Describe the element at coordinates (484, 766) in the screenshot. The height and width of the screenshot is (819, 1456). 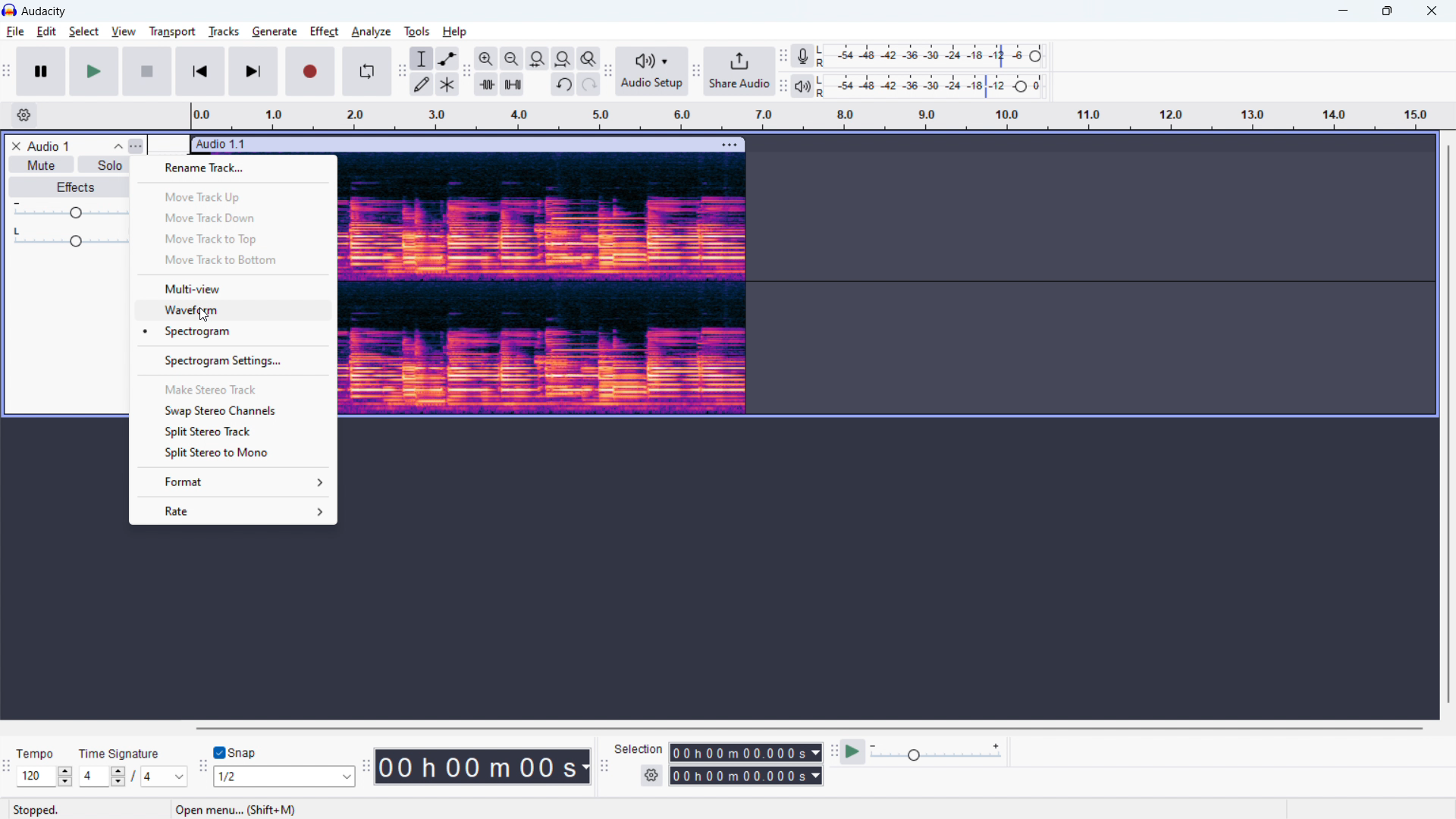
I see `timestamp` at that location.